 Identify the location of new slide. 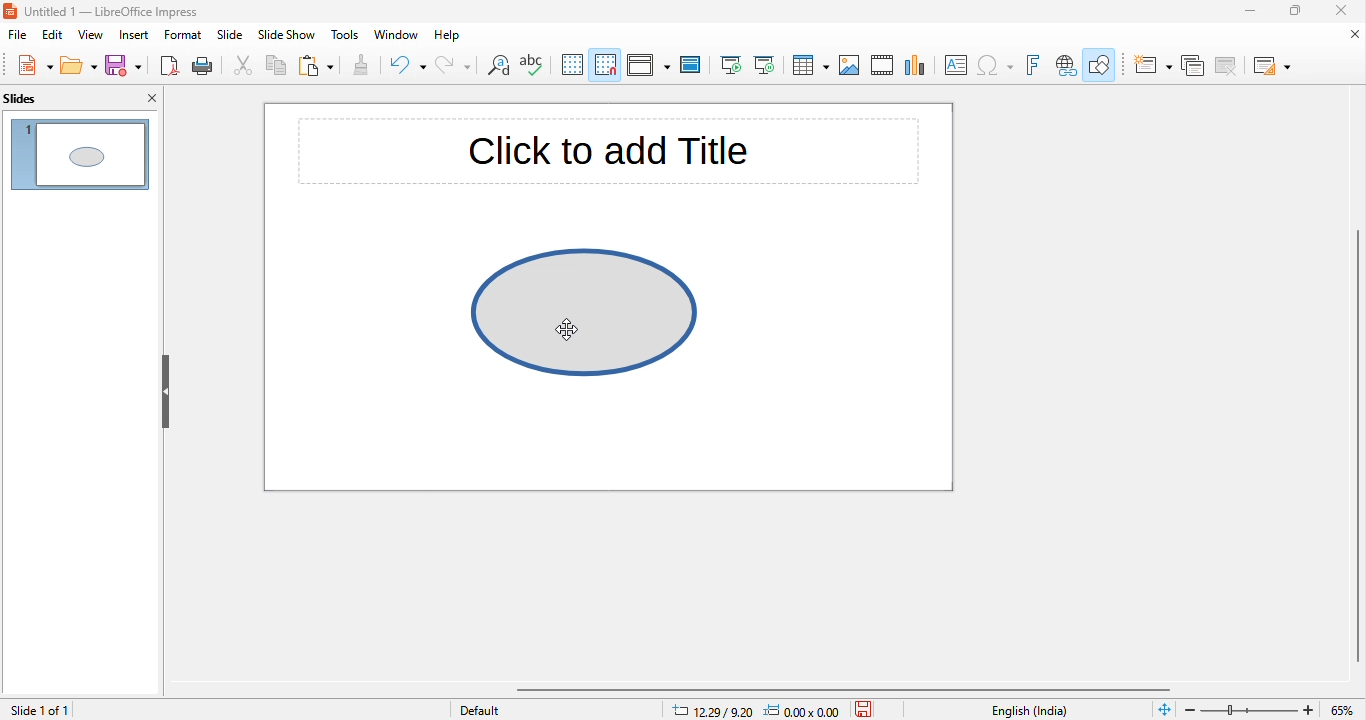
(1150, 65).